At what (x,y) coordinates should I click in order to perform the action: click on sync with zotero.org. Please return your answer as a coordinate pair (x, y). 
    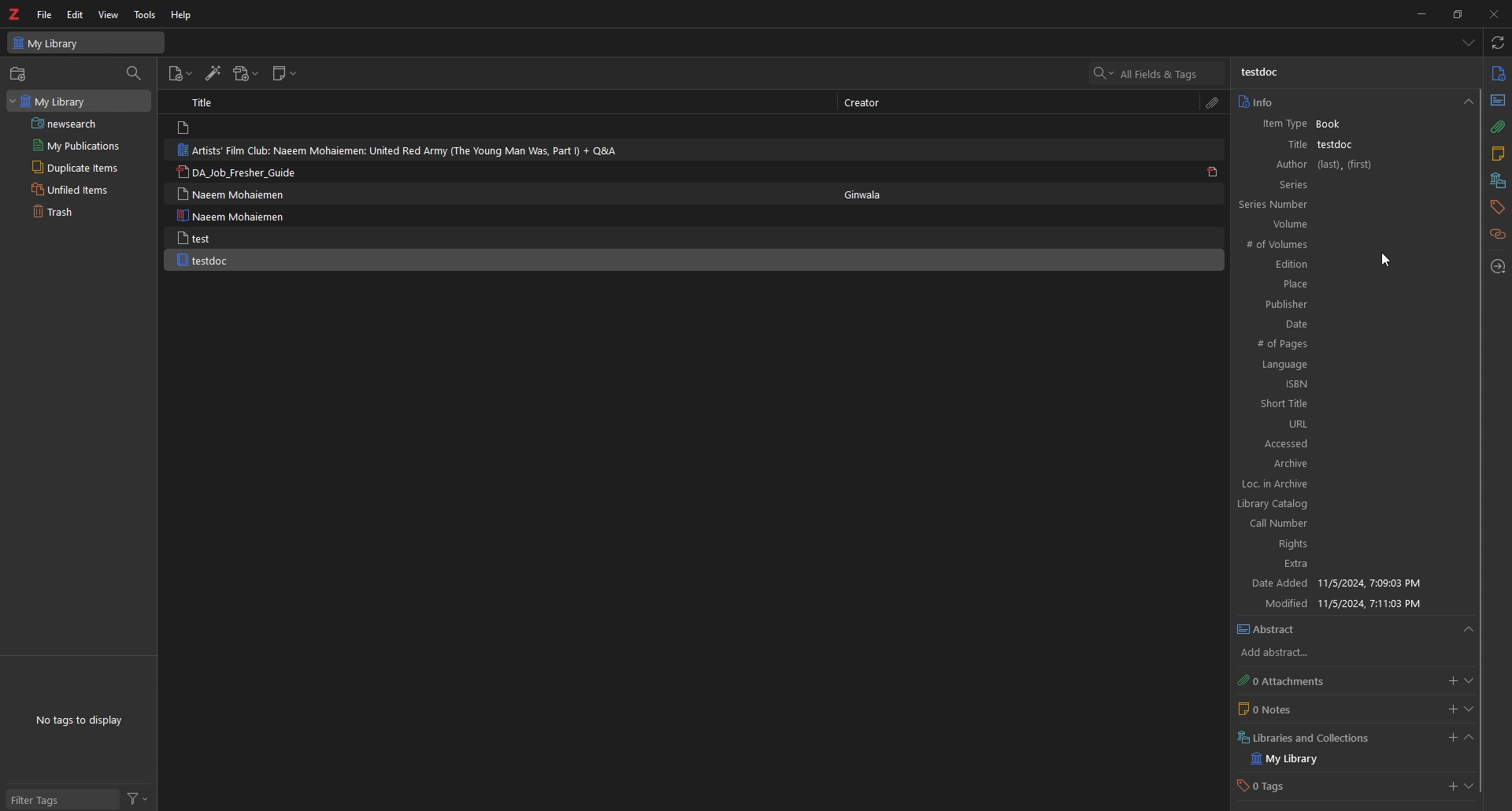
    Looking at the image, I should click on (1497, 43).